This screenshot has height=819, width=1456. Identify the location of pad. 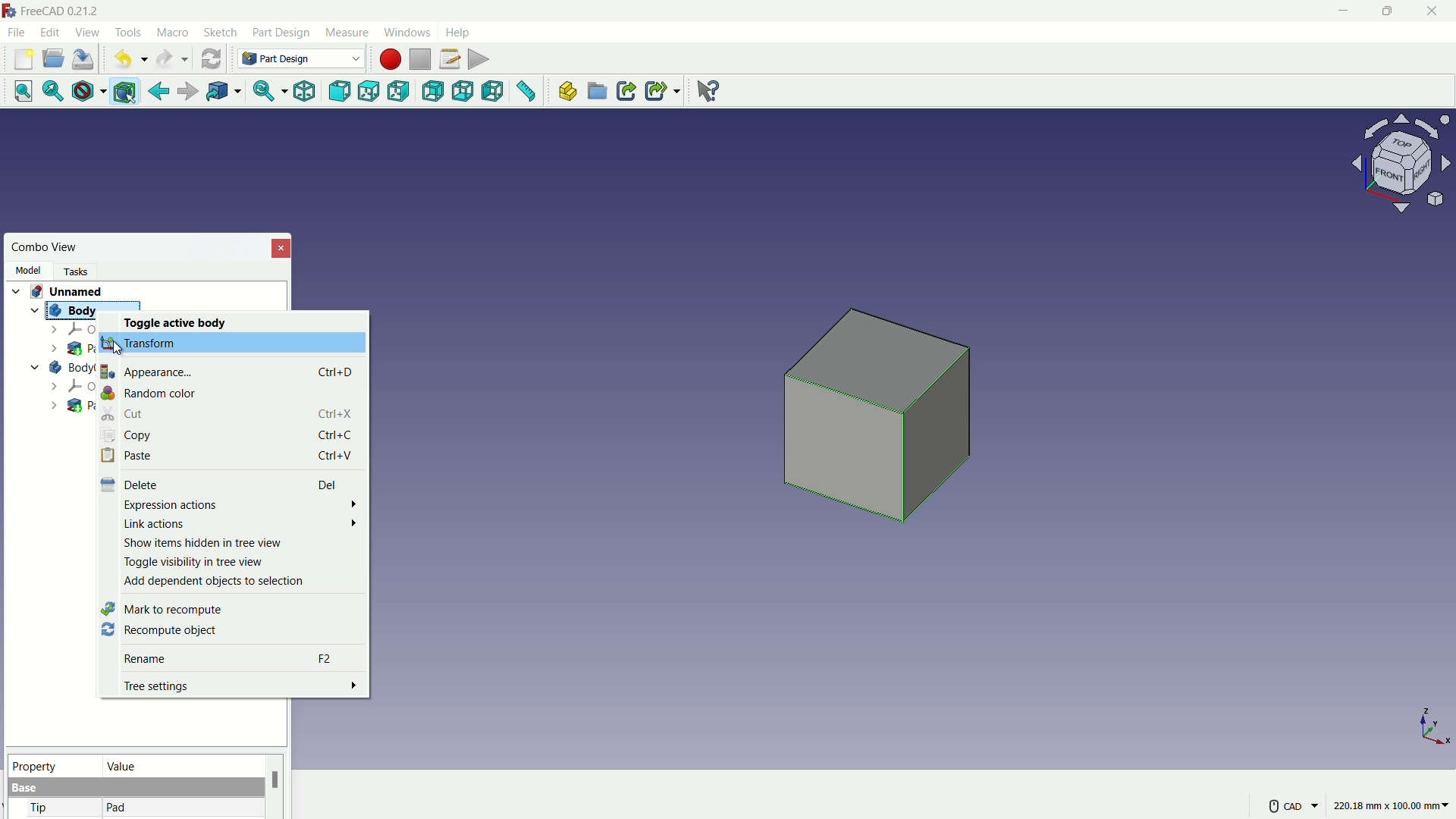
(117, 808).